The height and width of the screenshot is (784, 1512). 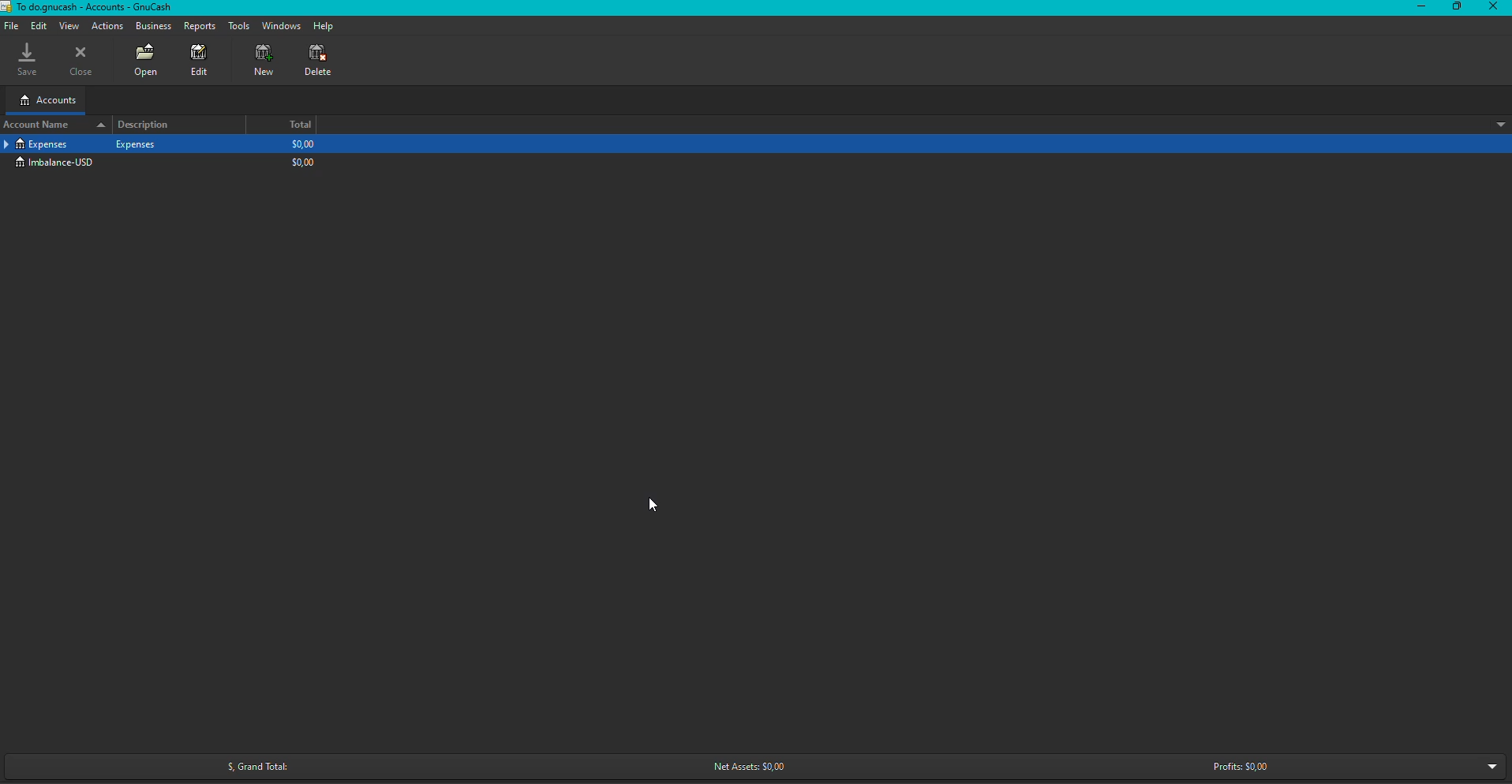 What do you see at coordinates (1488, 767) in the screenshot?
I see `more options` at bounding box center [1488, 767].